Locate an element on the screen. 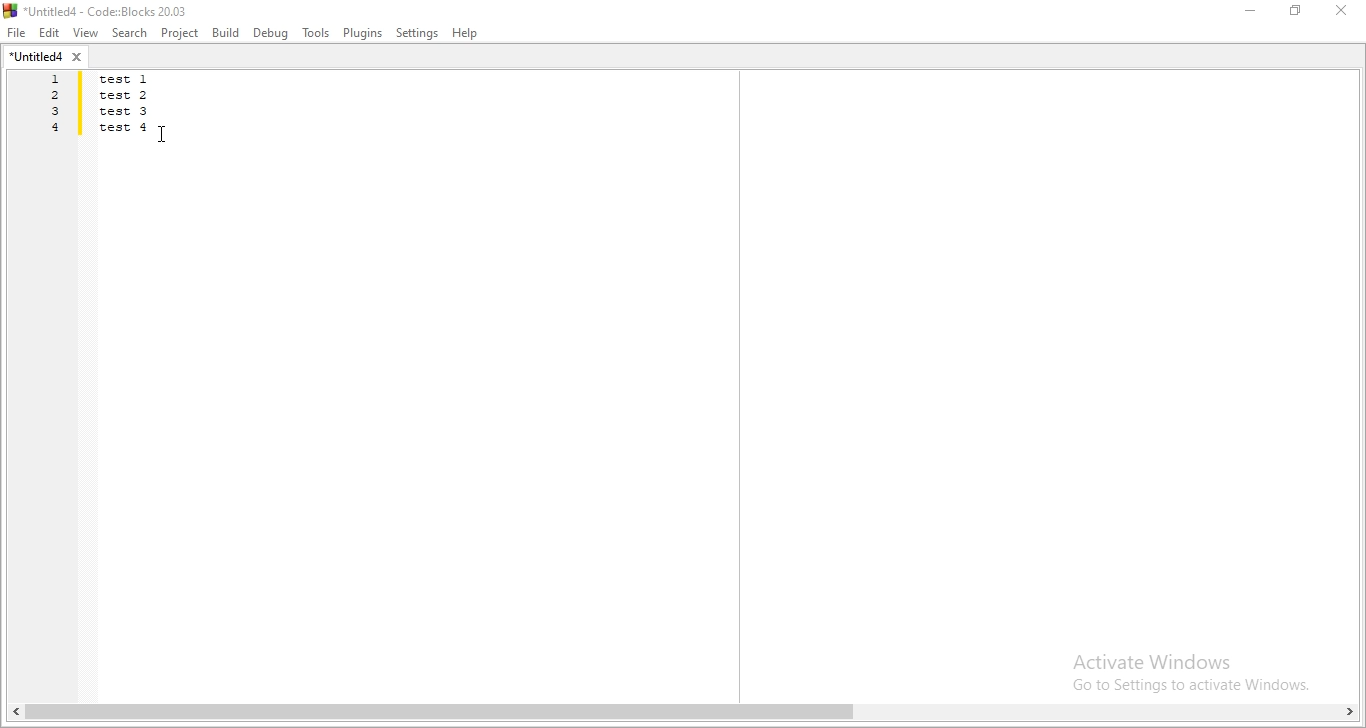 The width and height of the screenshot is (1366, 728). Build  is located at coordinates (224, 32).